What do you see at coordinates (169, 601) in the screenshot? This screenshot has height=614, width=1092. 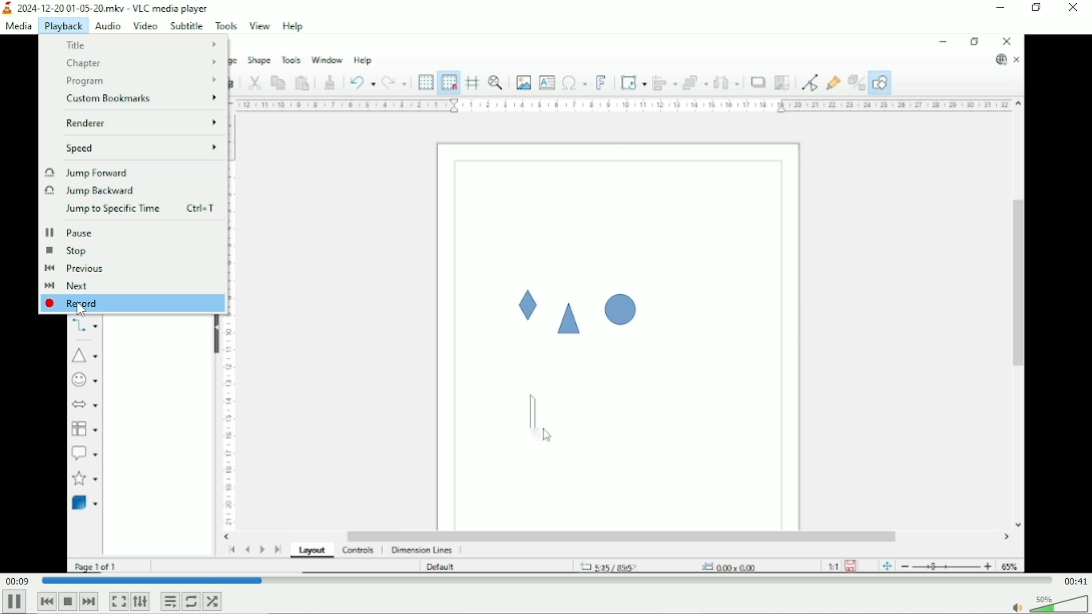 I see `Toggle playlist` at bounding box center [169, 601].